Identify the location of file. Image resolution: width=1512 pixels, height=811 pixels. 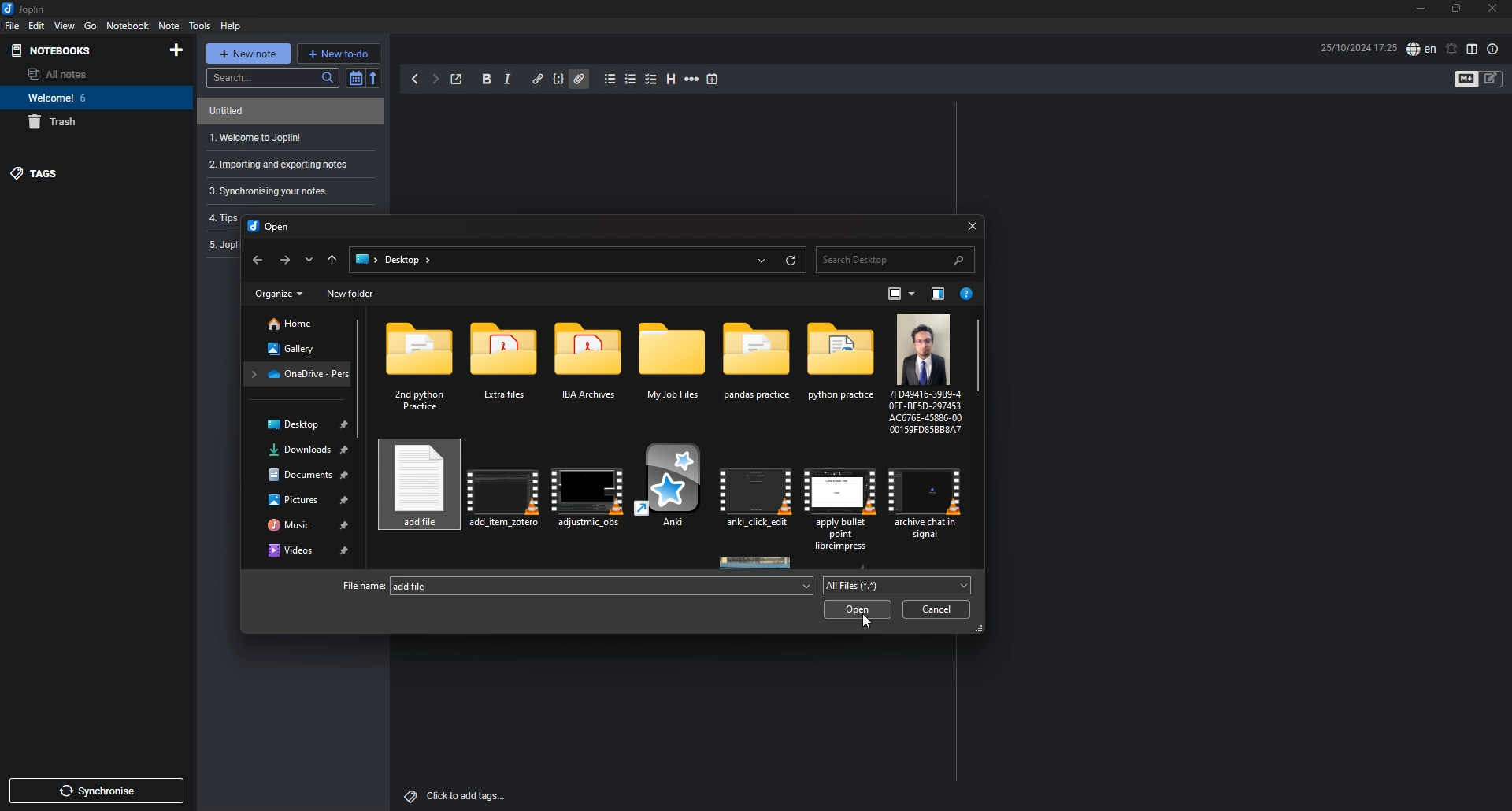
(675, 491).